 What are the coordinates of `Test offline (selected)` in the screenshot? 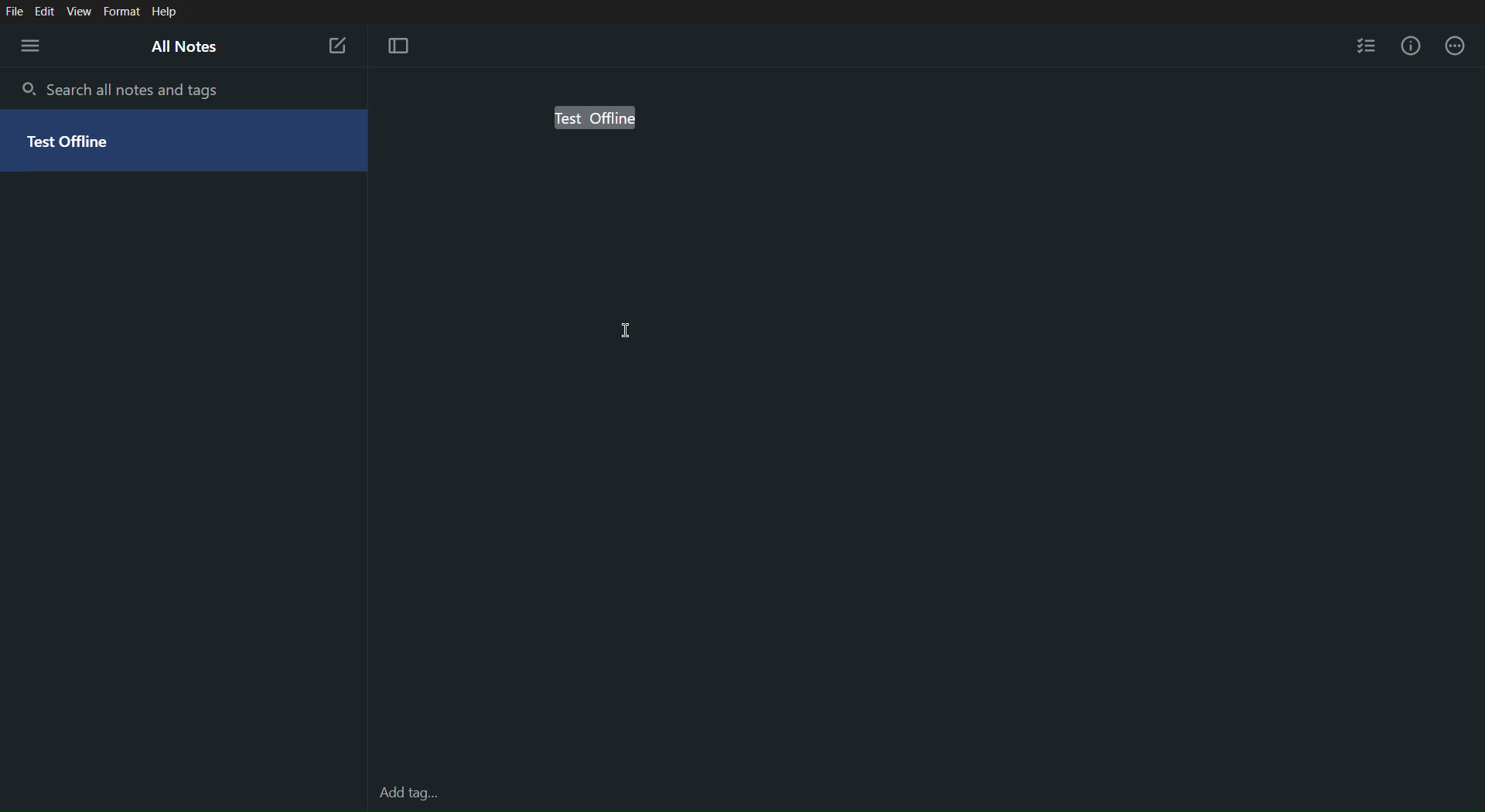 It's located at (599, 120).